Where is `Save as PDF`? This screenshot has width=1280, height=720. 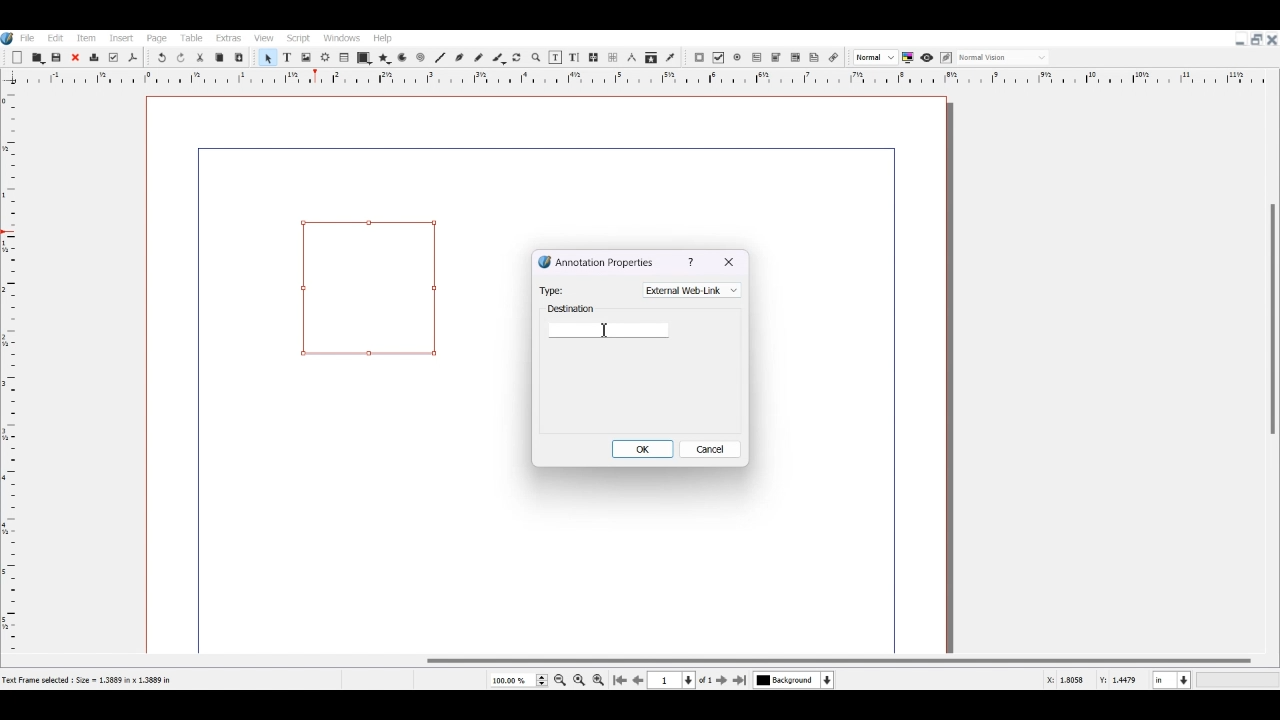
Save as PDF is located at coordinates (133, 58).